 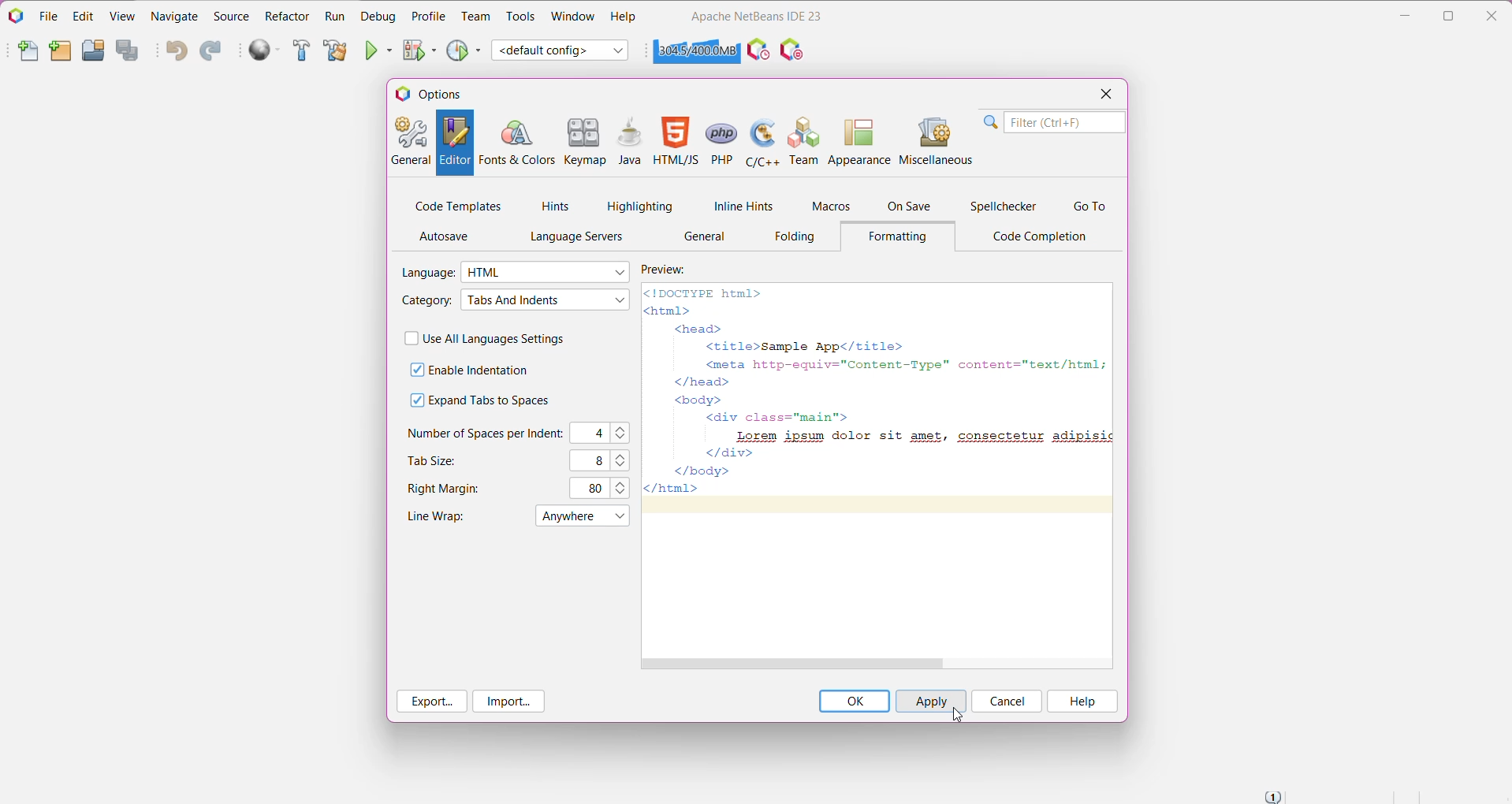 What do you see at coordinates (1044, 237) in the screenshot?
I see `Code Completion` at bounding box center [1044, 237].